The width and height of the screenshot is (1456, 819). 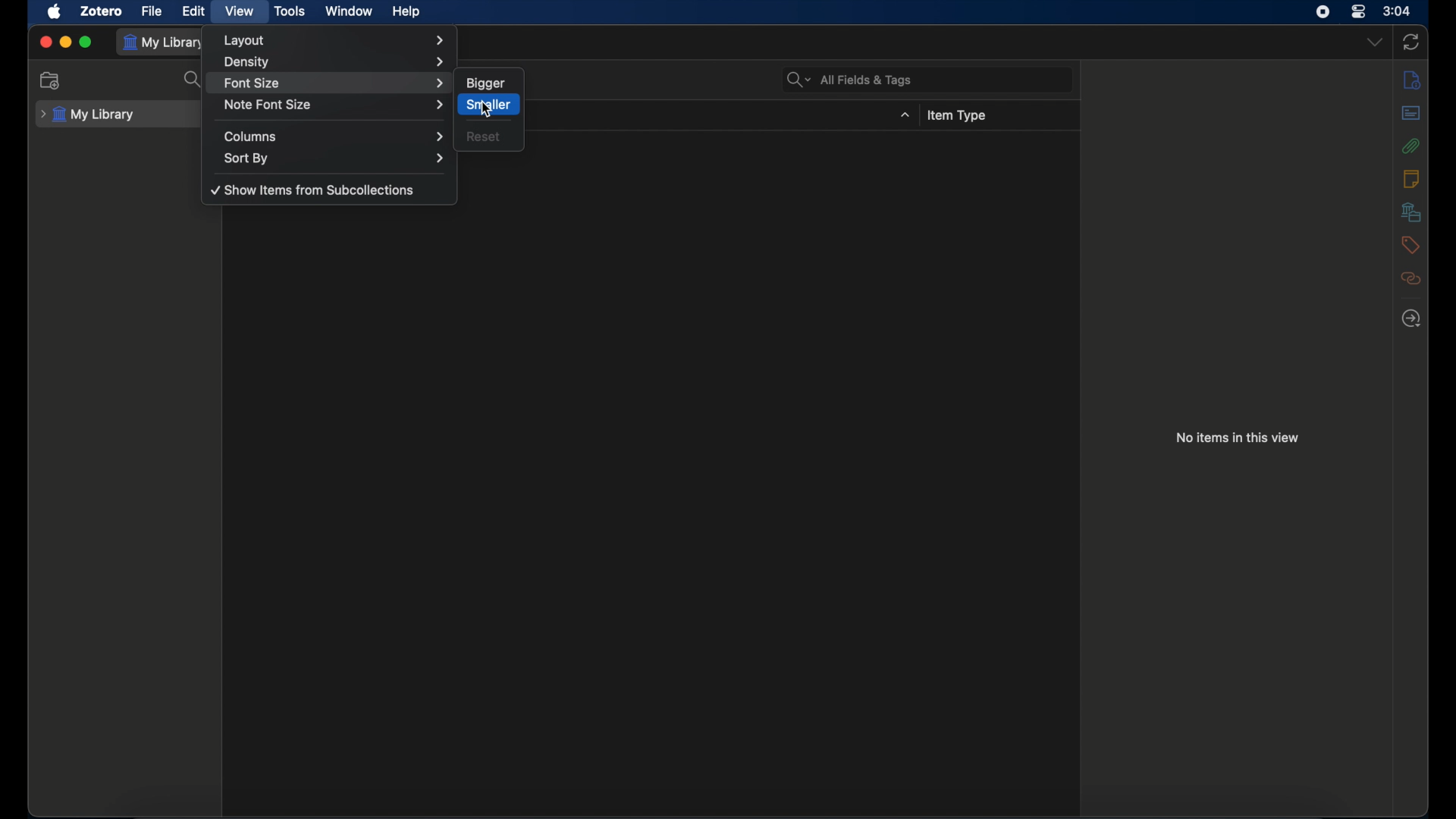 I want to click on edit, so click(x=196, y=10).